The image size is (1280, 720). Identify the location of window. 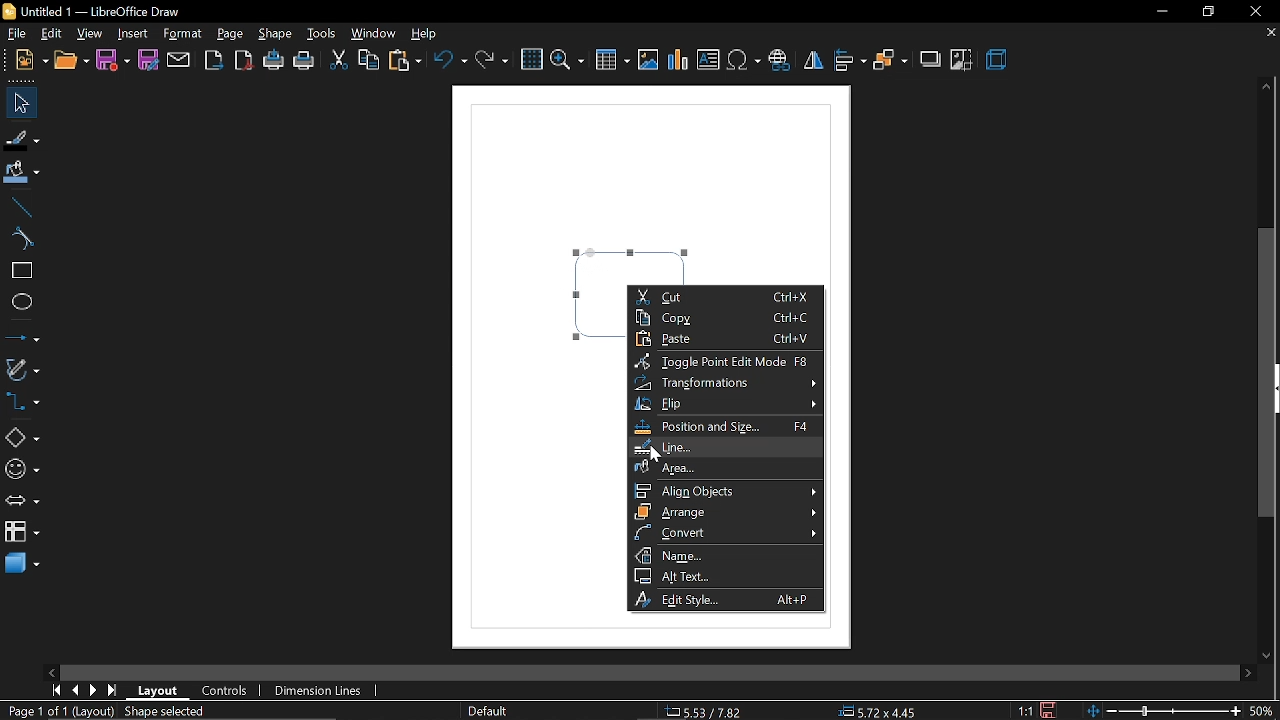
(374, 32).